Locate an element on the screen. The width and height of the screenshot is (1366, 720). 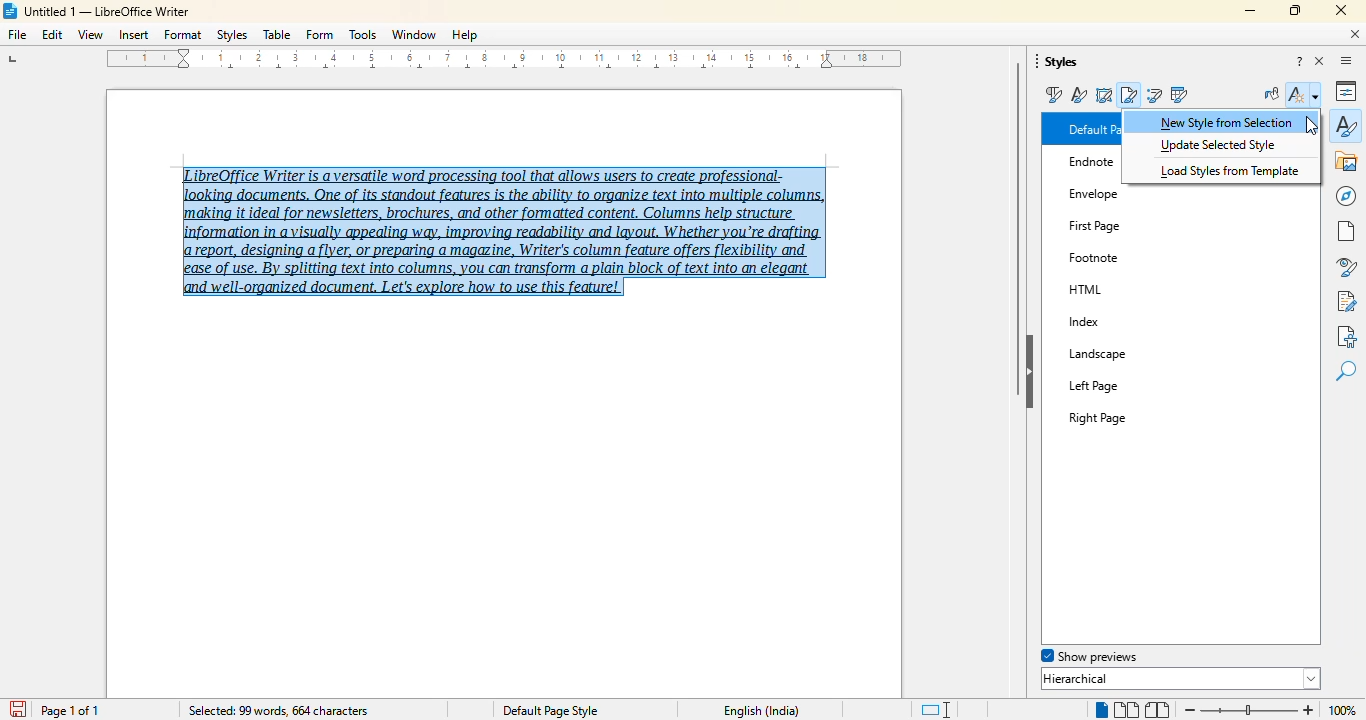
tools is located at coordinates (363, 35).